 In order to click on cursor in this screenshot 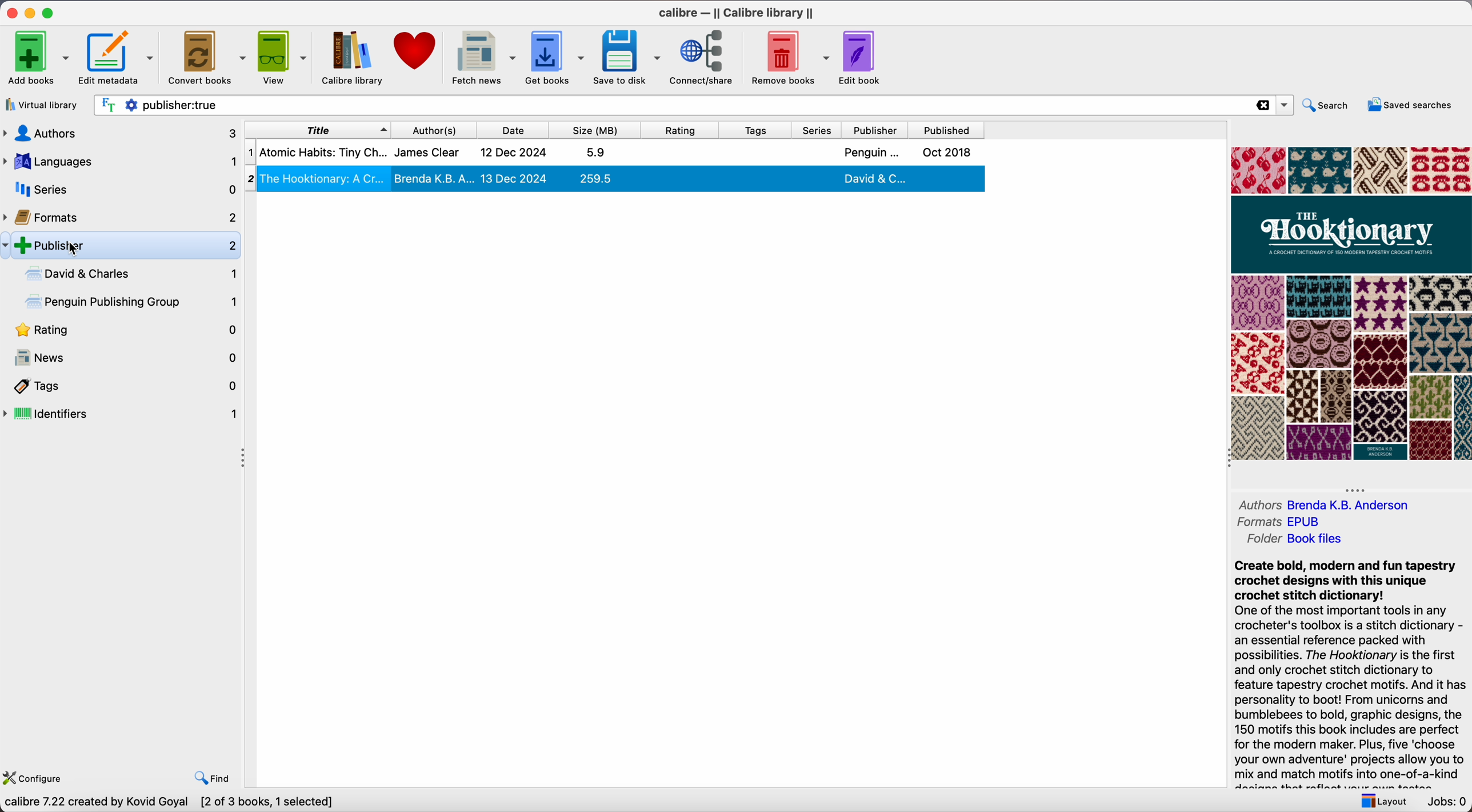, I will do `click(74, 250)`.